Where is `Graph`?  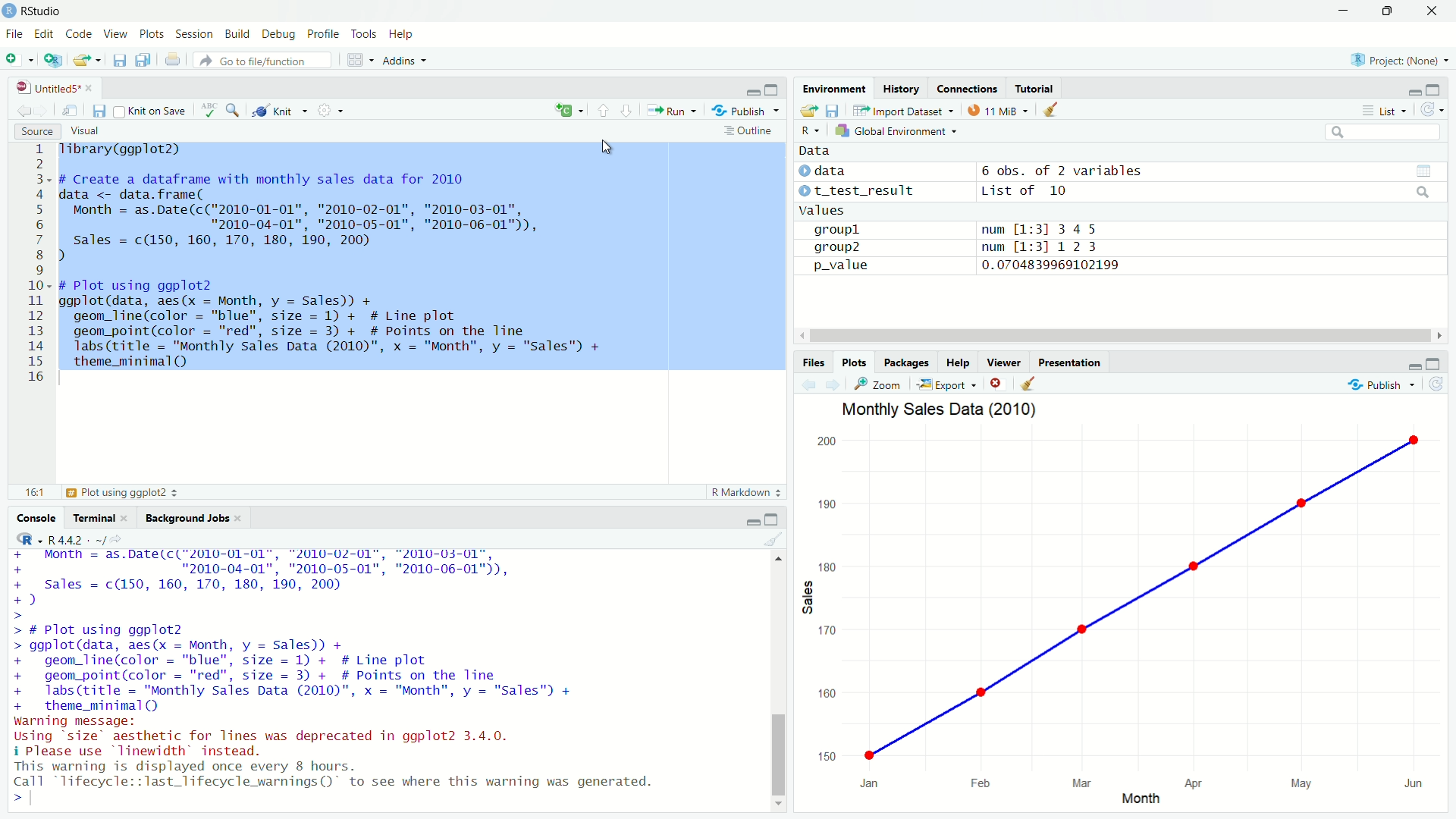
Graph is located at coordinates (1132, 621).